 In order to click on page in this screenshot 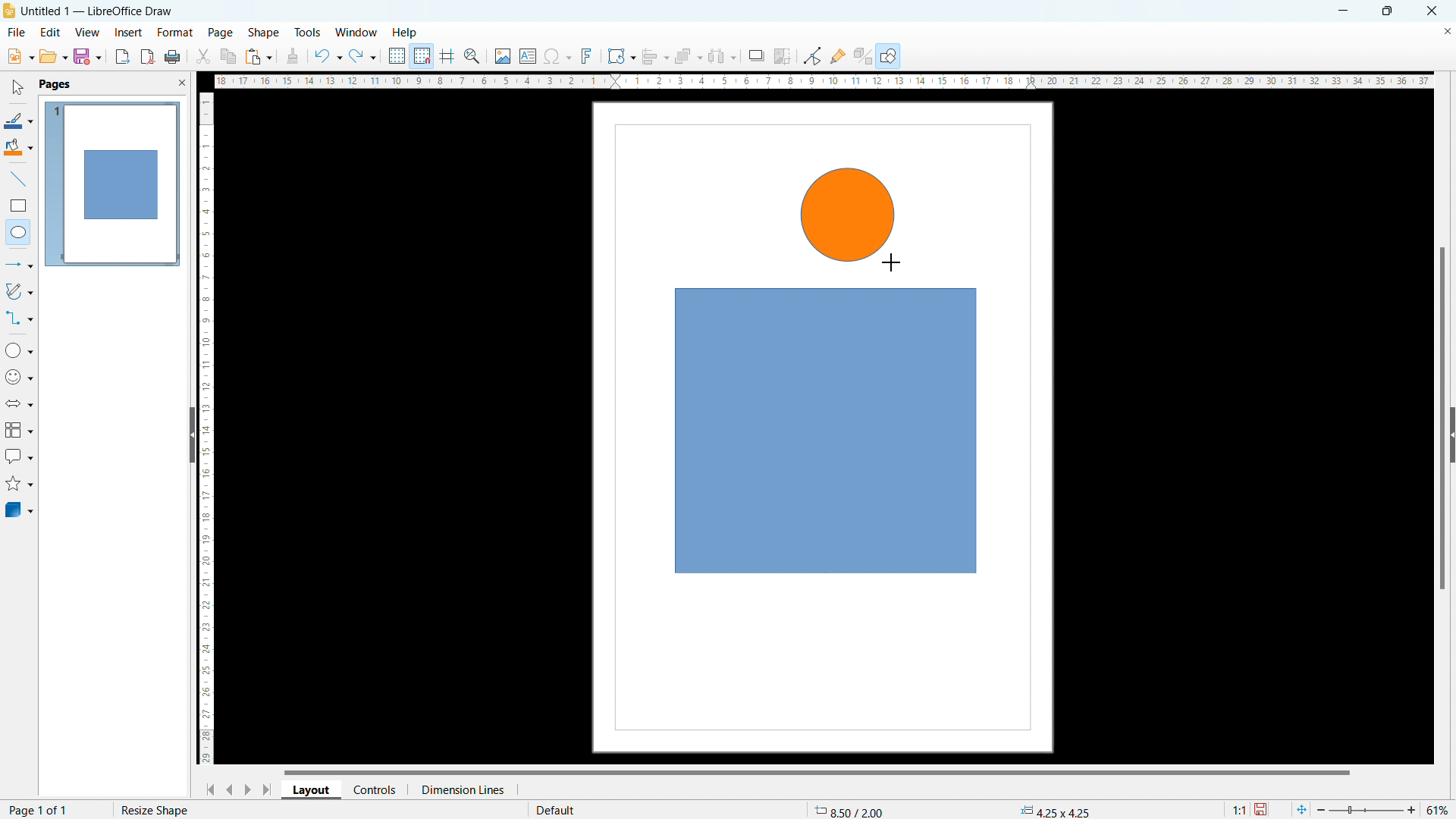, I will do `click(221, 32)`.